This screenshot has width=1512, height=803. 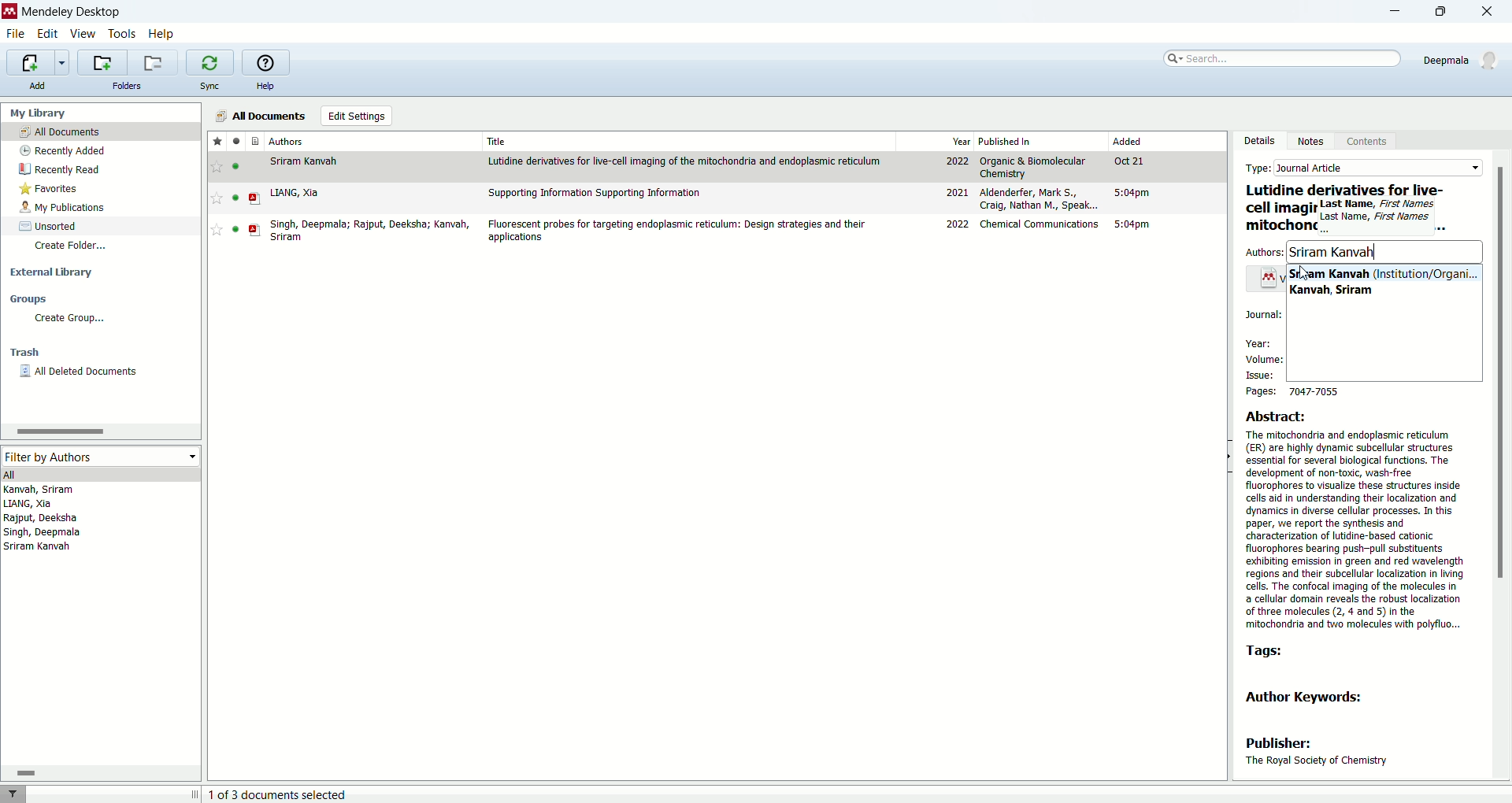 I want to click on Sriram, Kanvah (Institutuin/Organi..., so click(x=1385, y=272).